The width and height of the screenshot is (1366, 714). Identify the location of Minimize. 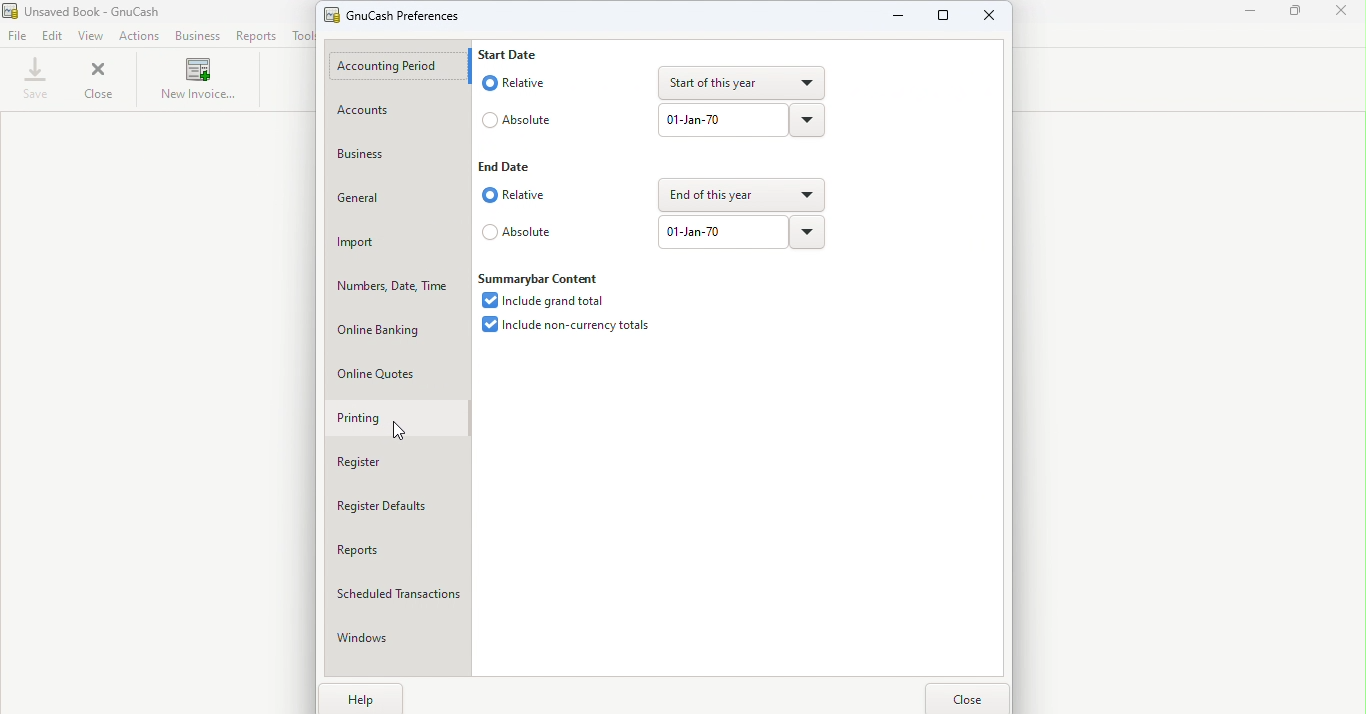
(898, 14).